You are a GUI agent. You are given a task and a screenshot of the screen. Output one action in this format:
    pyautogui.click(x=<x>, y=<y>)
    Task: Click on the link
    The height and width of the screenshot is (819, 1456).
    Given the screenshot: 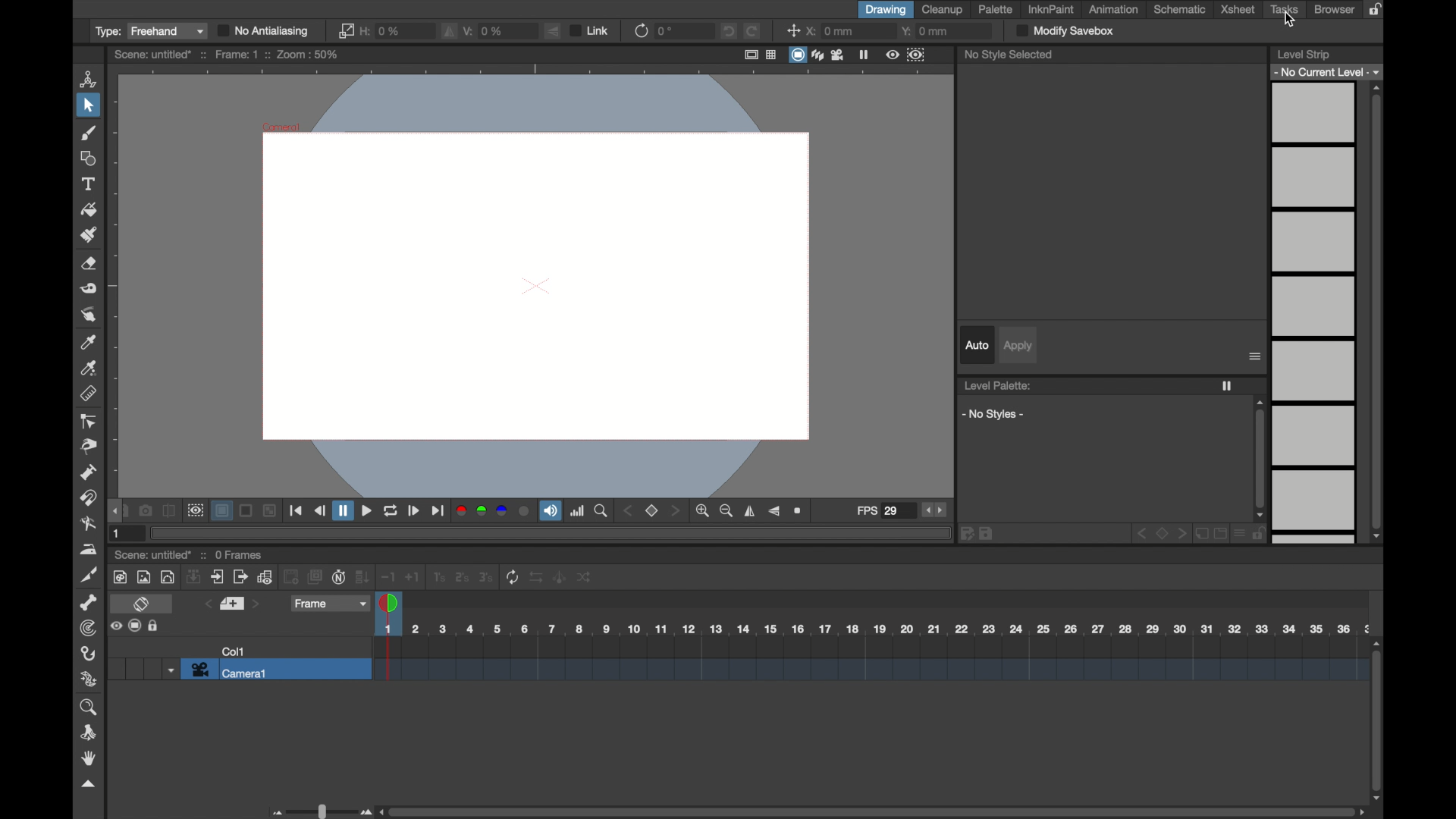 What is the action you would take?
    pyautogui.click(x=591, y=30)
    